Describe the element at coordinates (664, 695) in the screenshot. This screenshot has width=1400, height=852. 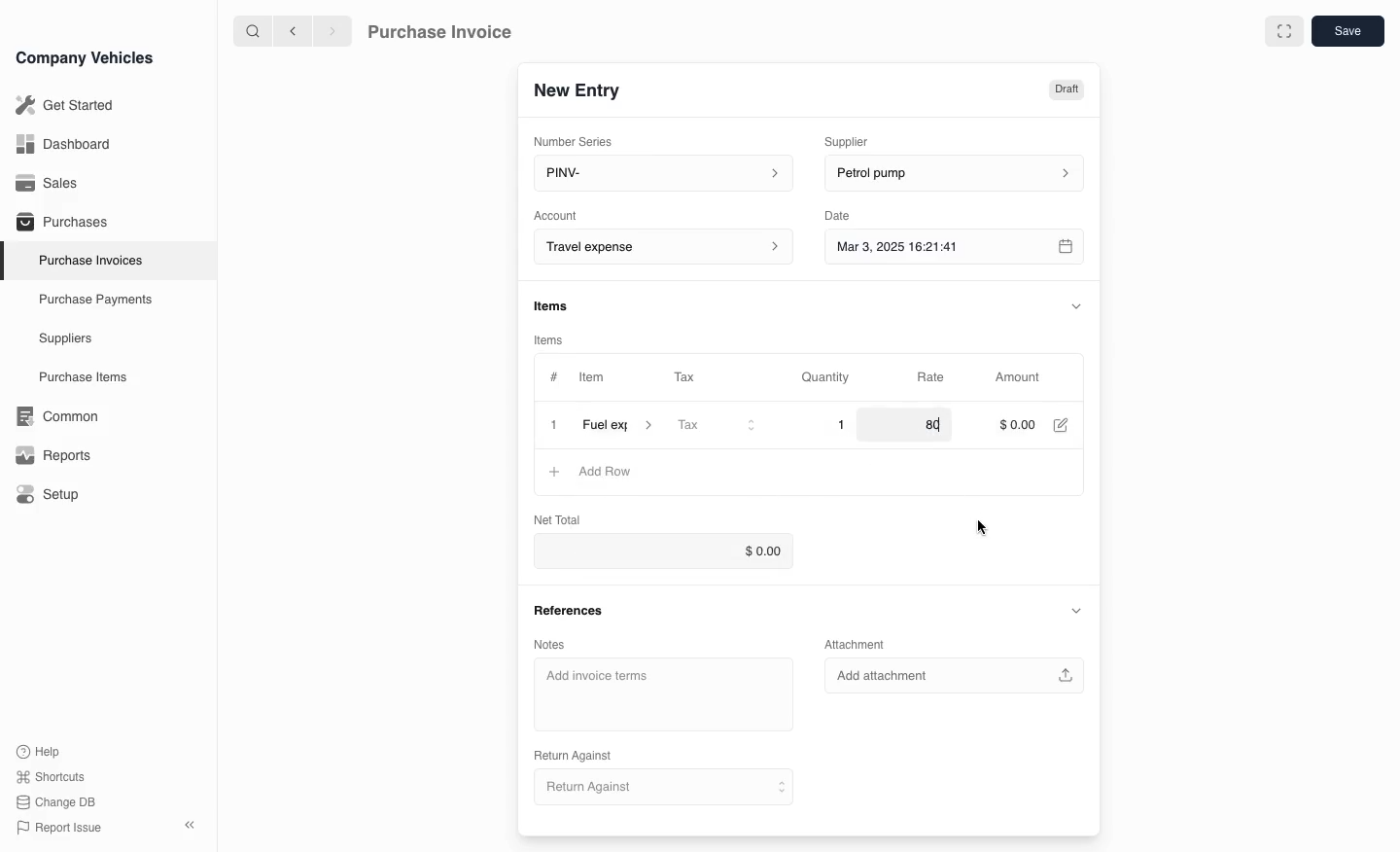
I see `Add invoice terms` at that location.